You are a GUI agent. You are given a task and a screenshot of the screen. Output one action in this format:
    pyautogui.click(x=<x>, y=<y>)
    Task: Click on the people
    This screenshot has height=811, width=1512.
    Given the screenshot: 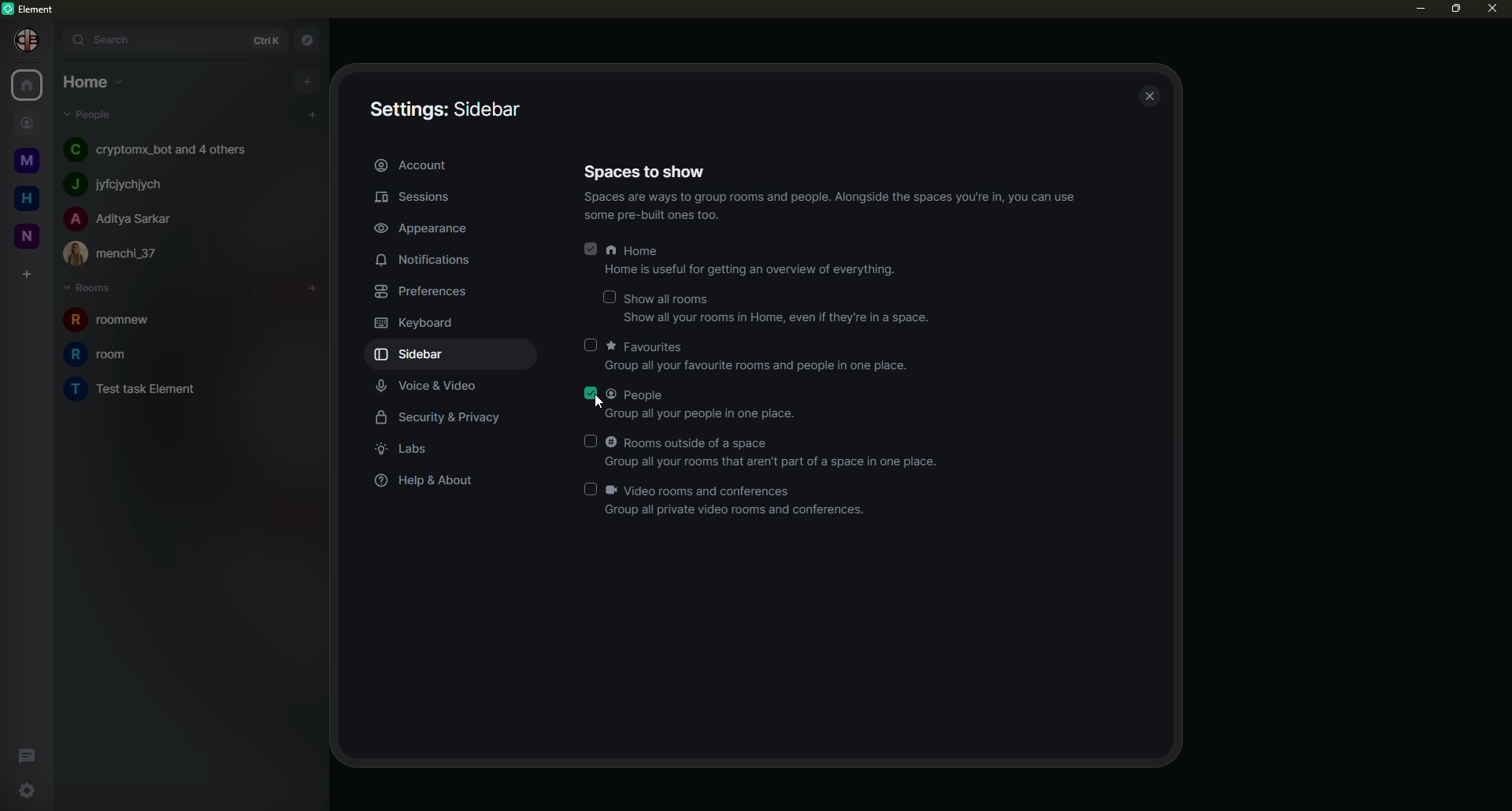 What is the action you would take?
    pyautogui.click(x=123, y=182)
    